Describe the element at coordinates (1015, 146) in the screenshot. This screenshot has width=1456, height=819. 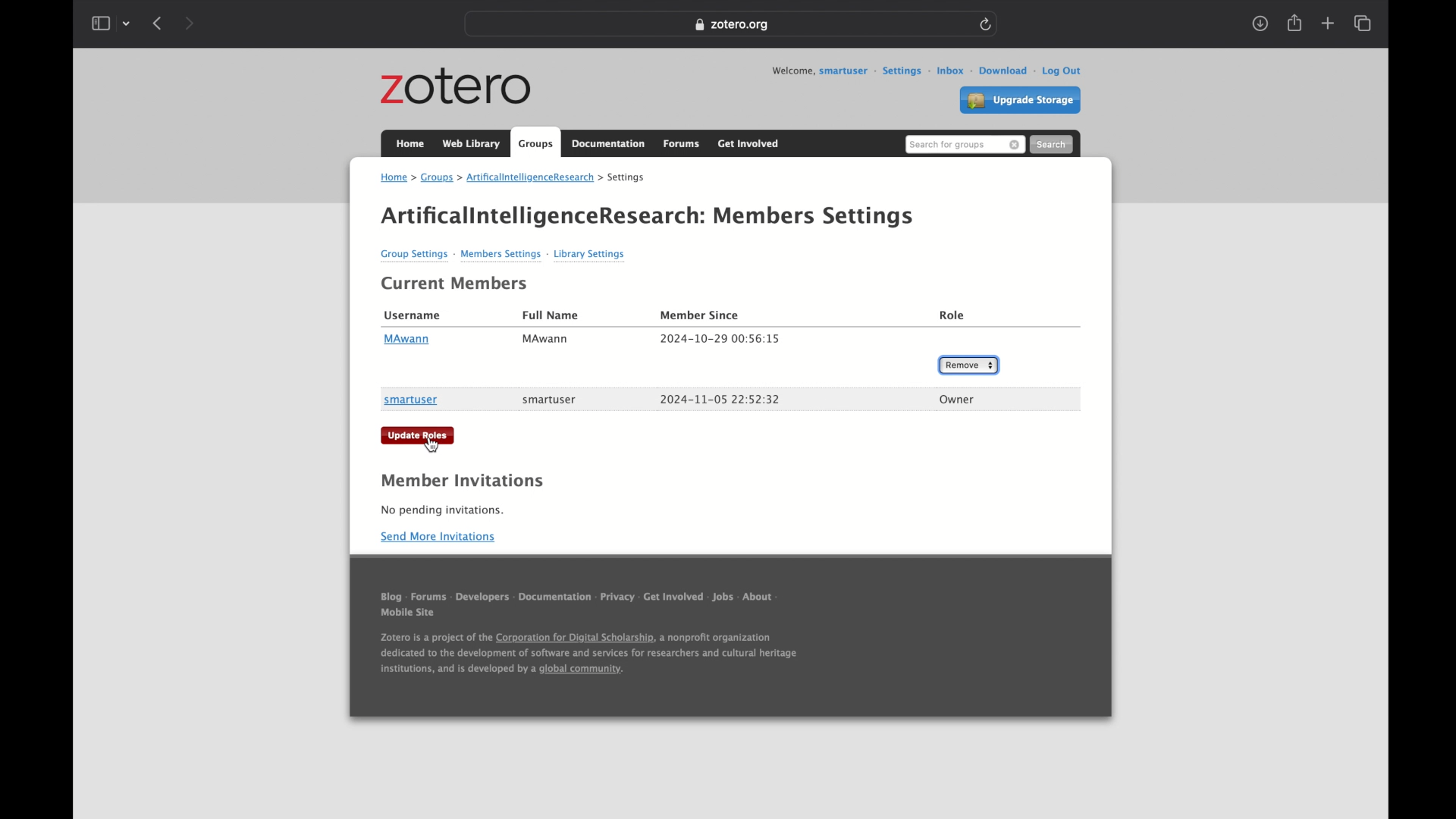
I see `remove` at that location.